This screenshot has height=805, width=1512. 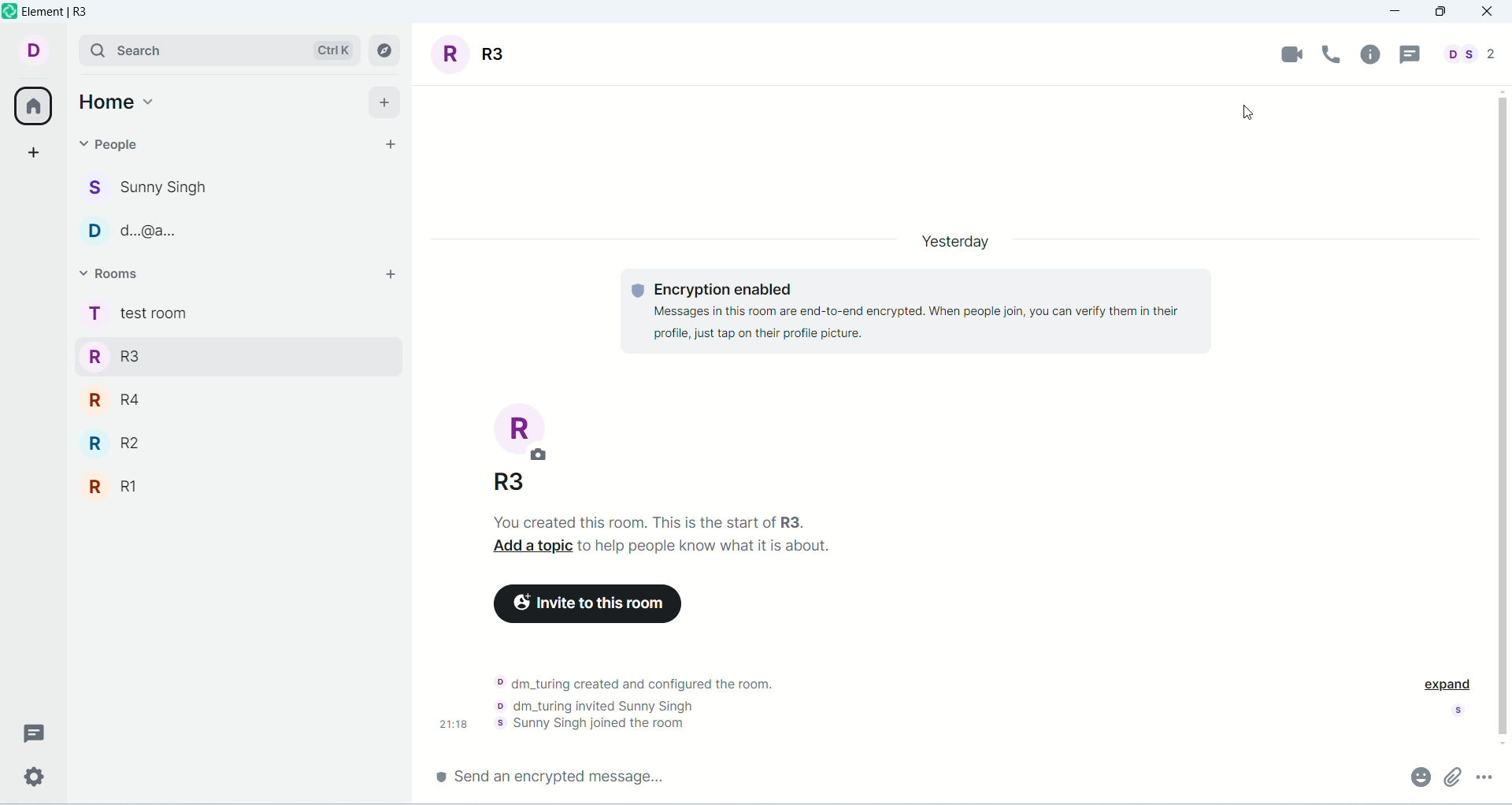 What do you see at coordinates (1462, 712) in the screenshot?
I see `Read` at bounding box center [1462, 712].